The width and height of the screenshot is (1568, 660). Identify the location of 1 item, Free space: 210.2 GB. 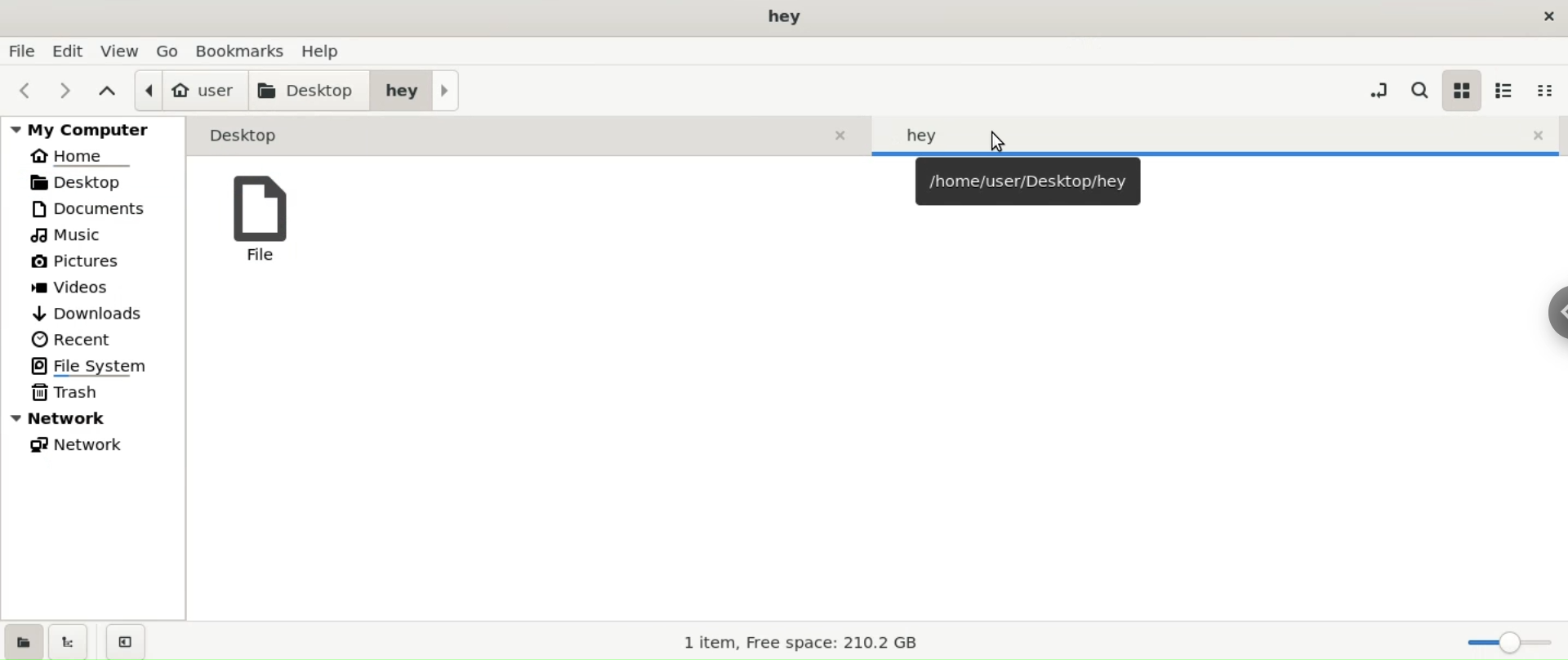
(795, 643).